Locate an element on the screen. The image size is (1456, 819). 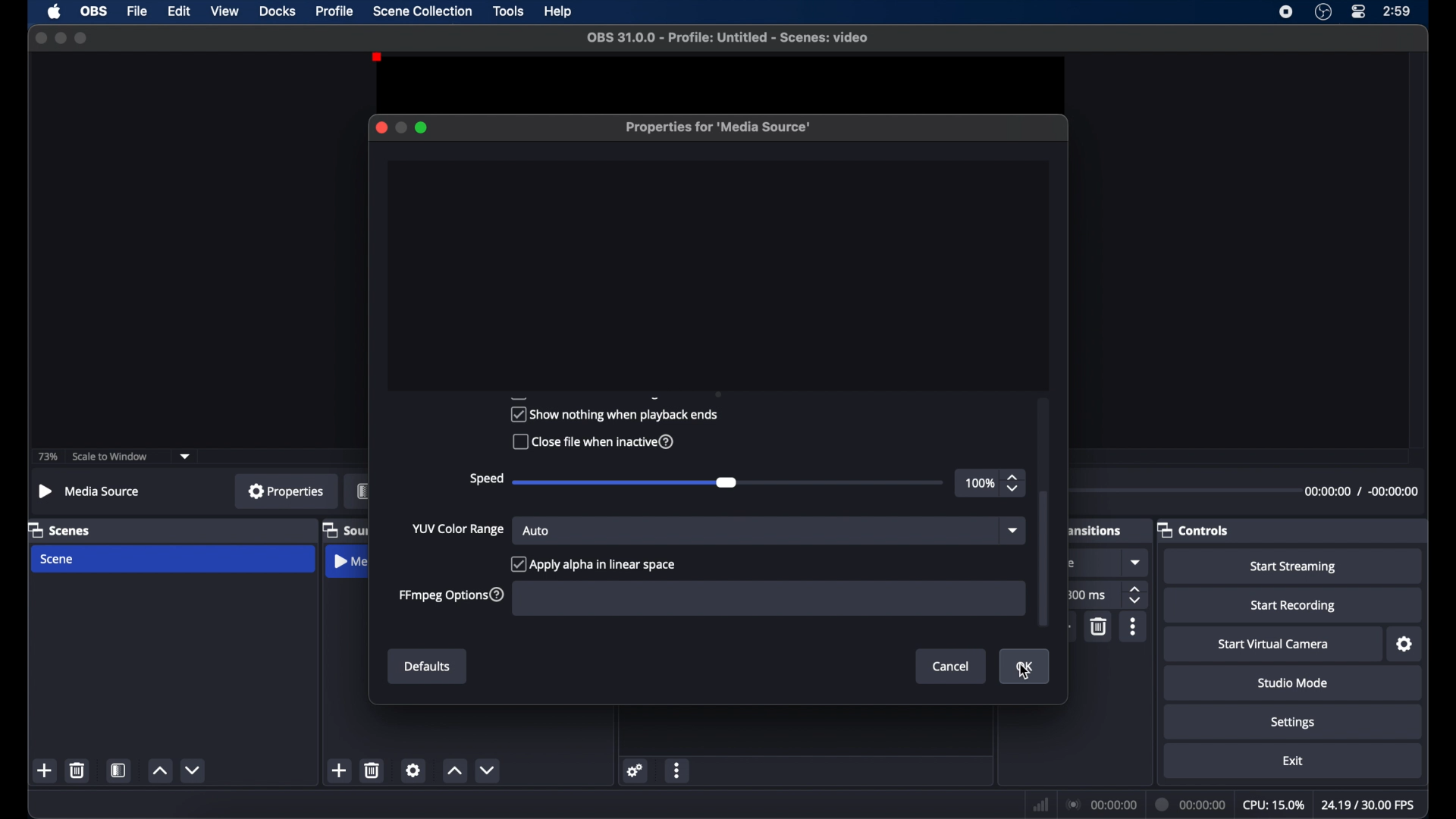
time is located at coordinates (1398, 11).